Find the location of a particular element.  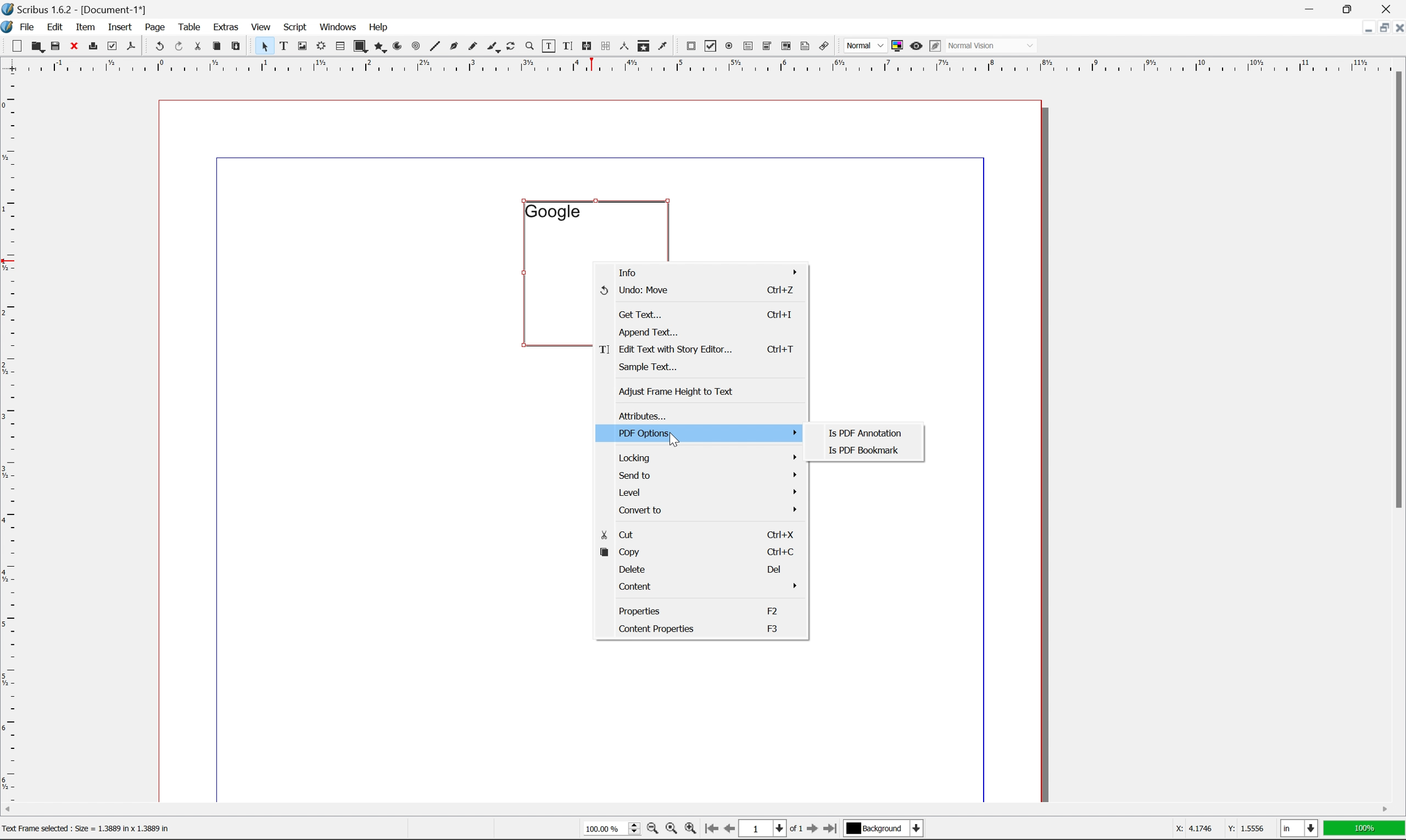

script is located at coordinates (295, 27).